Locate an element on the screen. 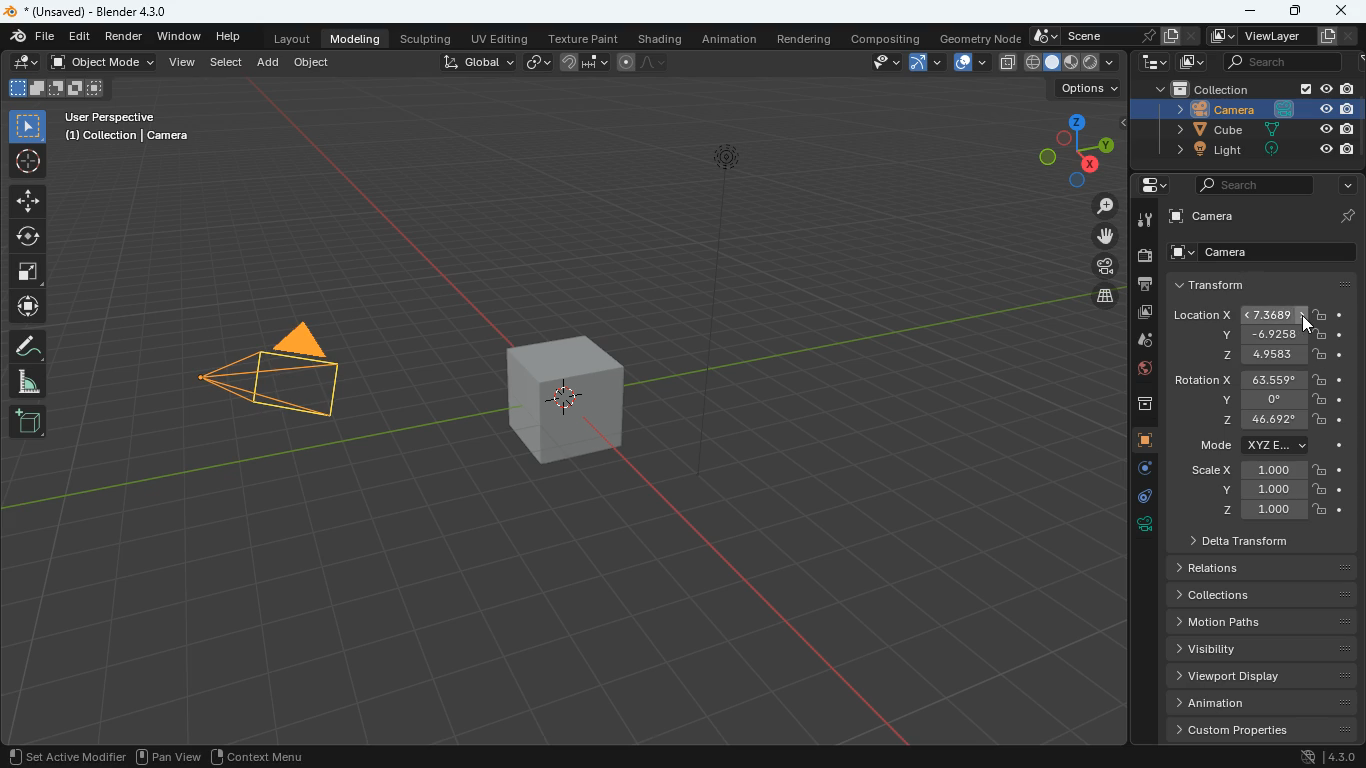  arc is located at coordinates (925, 64).